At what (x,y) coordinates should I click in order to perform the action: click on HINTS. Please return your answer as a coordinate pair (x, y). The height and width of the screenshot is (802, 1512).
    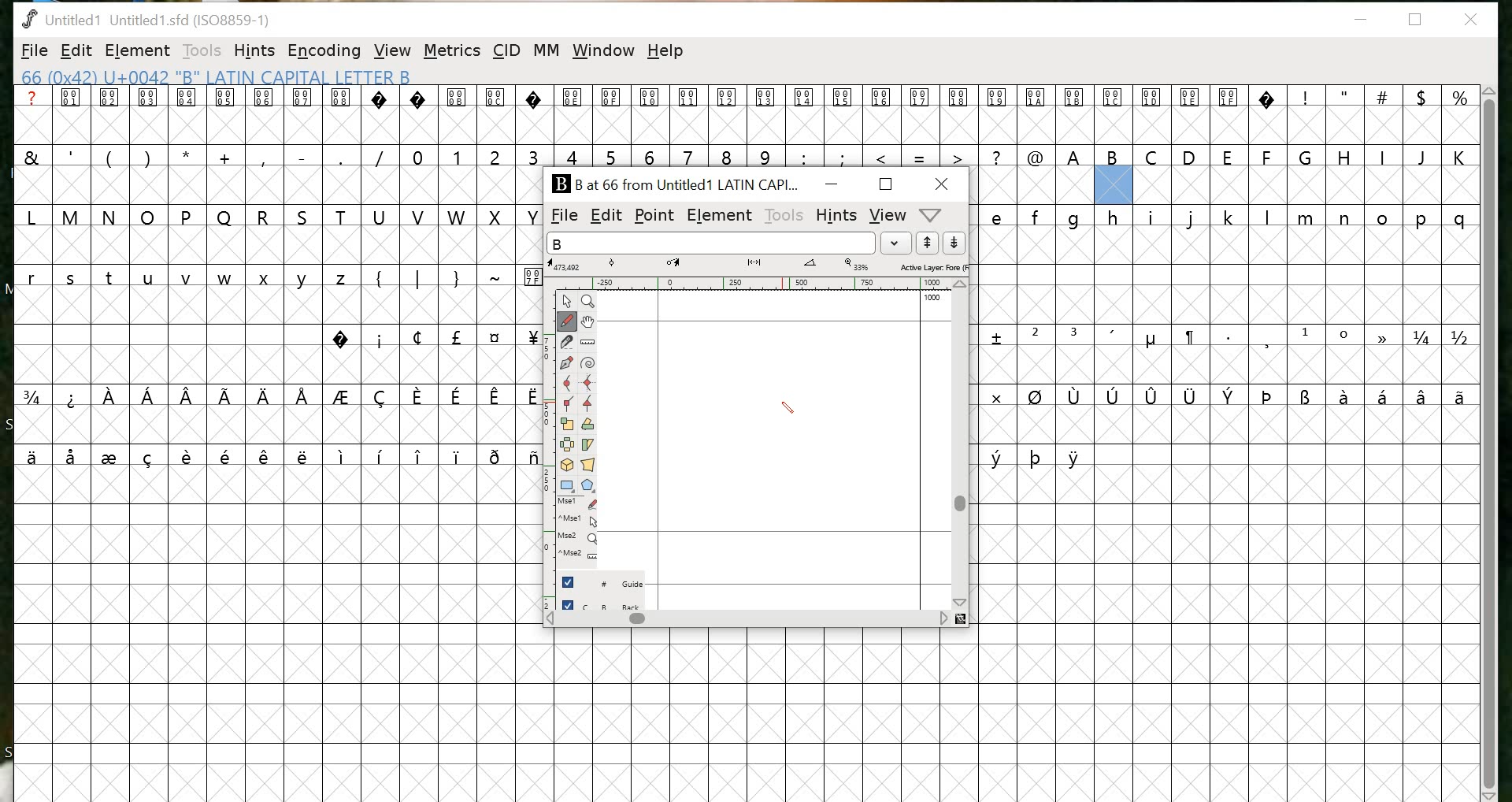
    Looking at the image, I should click on (254, 51).